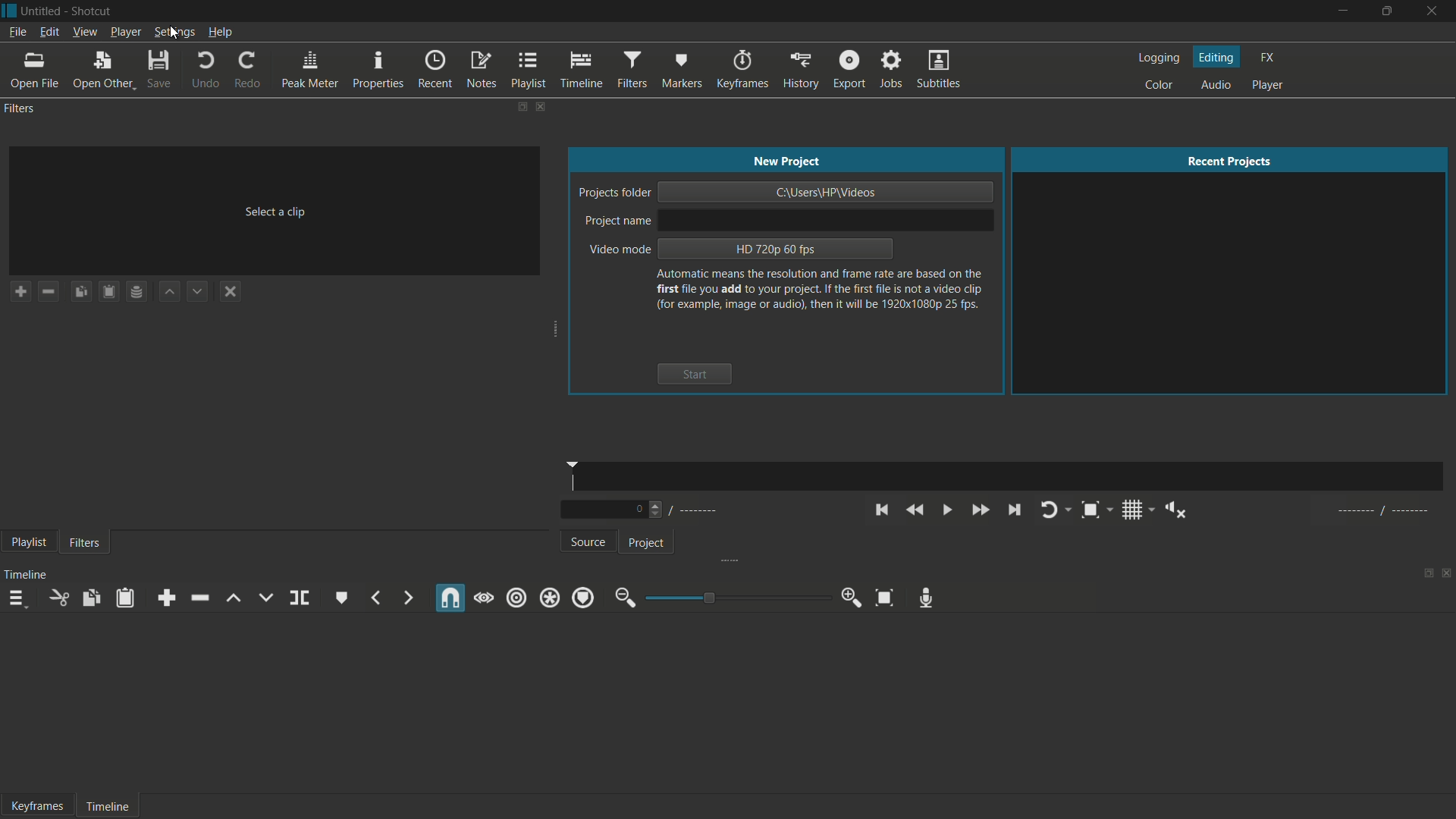 This screenshot has height=819, width=1456. What do you see at coordinates (1386, 513) in the screenshot?
I see `al` at bounding box center [1386, 513].